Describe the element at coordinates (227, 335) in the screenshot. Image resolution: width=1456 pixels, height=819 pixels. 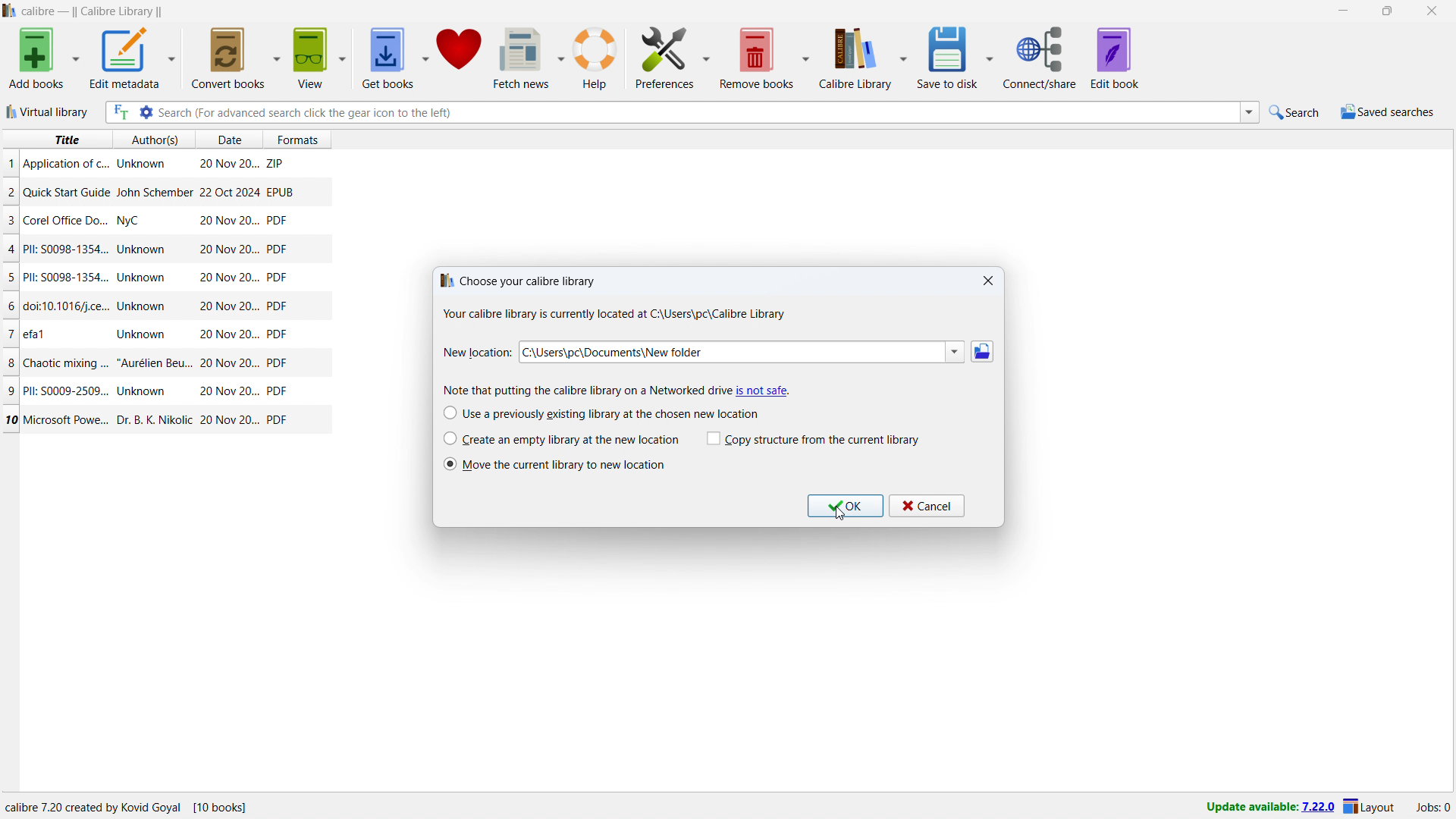
I see `Date` at that location.